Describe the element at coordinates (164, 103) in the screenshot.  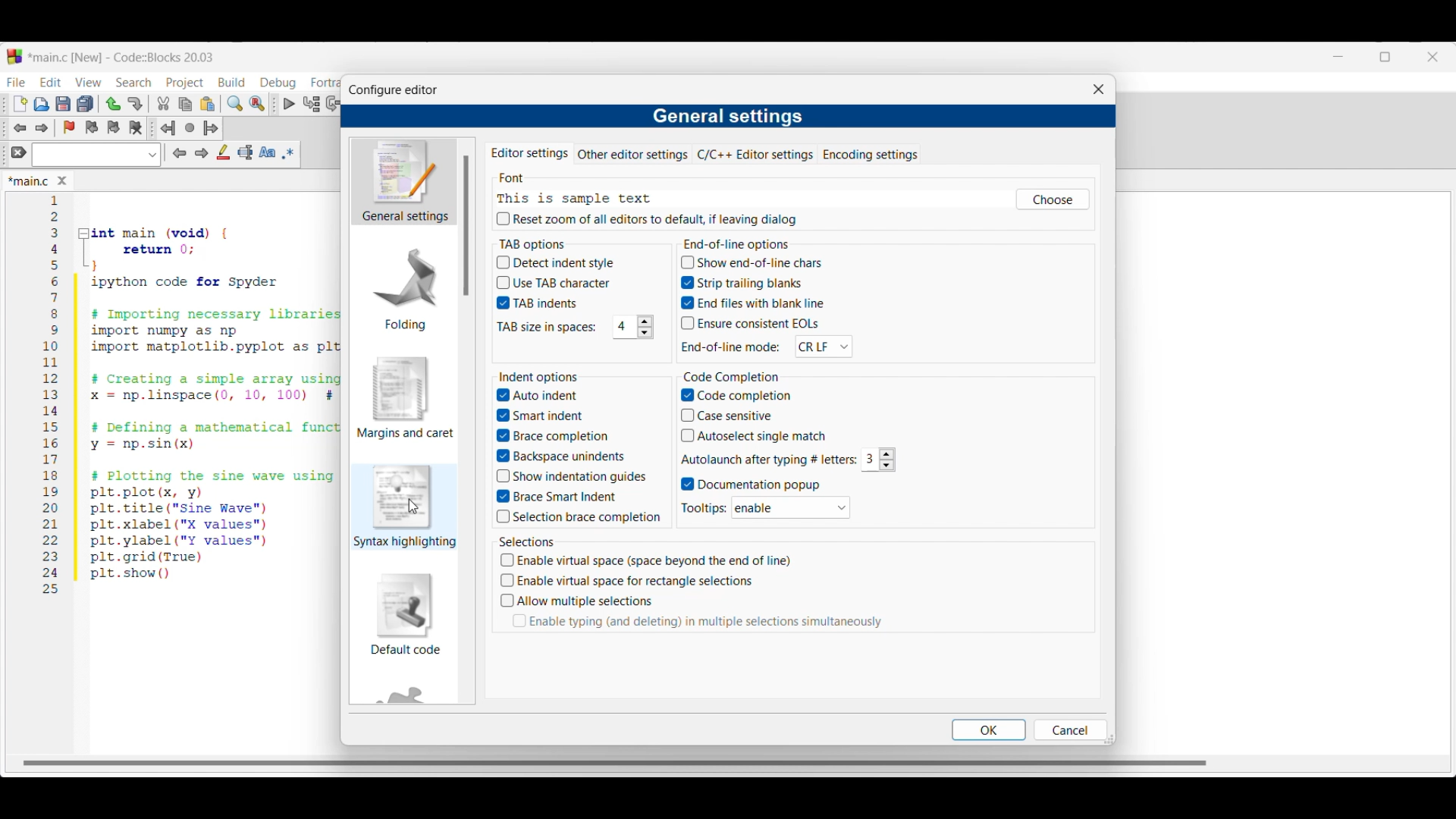
I see `Cut` at that location.